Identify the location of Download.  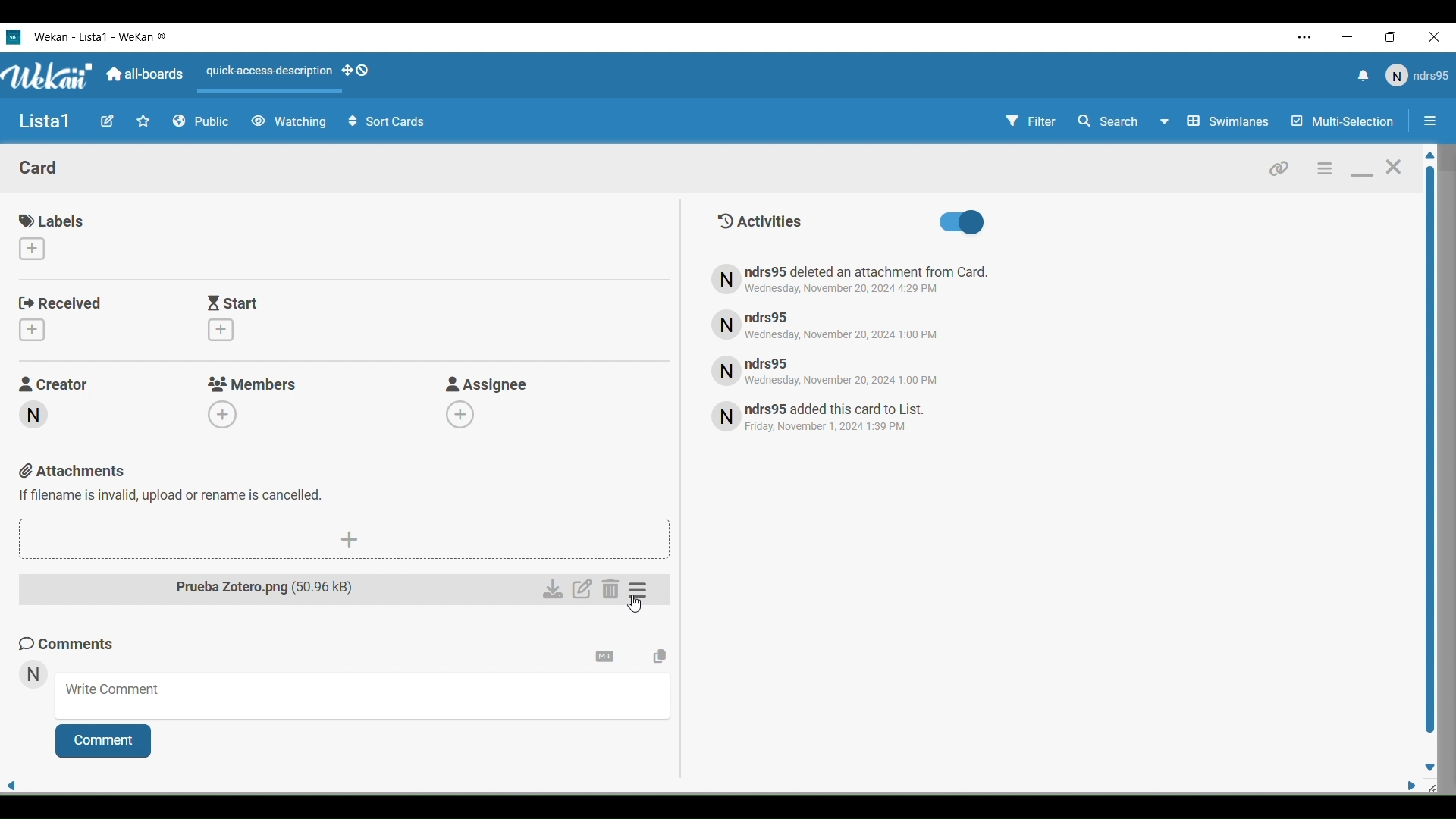
(553, 590).